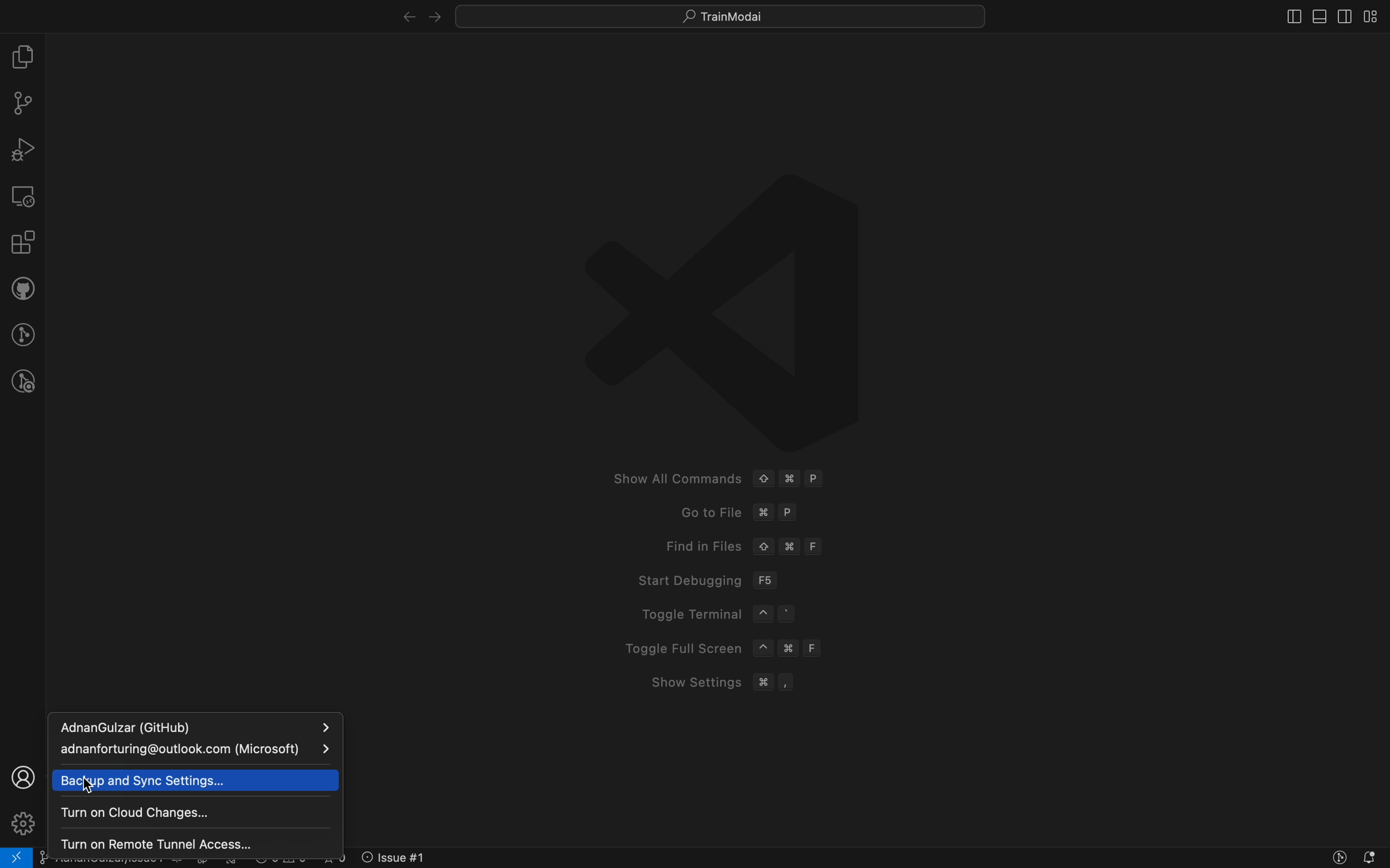 The width and height of the screenshot is (1390, 868). I want to click on github pull request and issues, so click(22, 289).